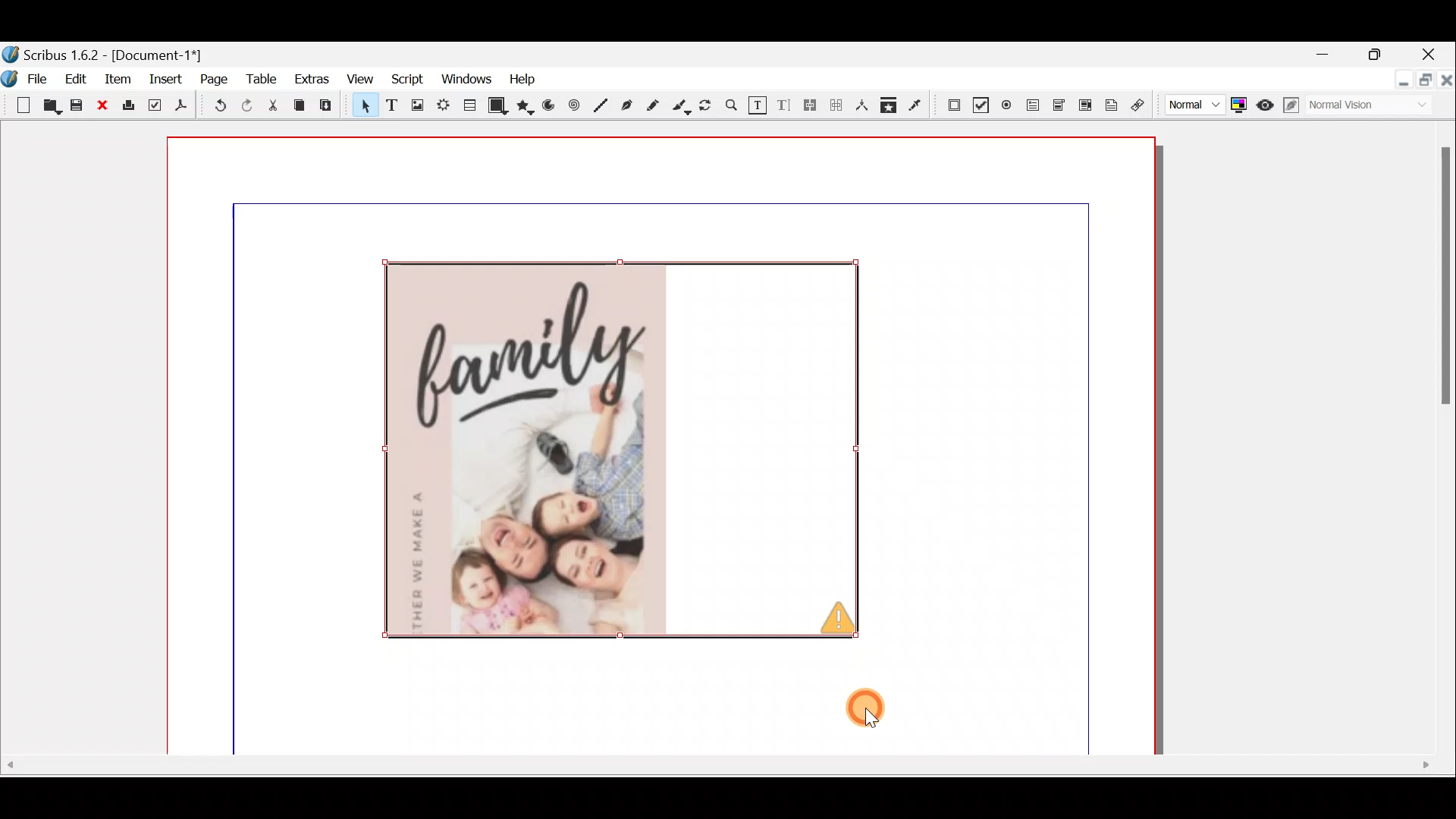 Image resolution: width=1456 pixels, height=819 pixels. What do you see at coordinates (757, 106) in the screenshot?
I see `Edit contents of frame` at bounding box center [757, 106].